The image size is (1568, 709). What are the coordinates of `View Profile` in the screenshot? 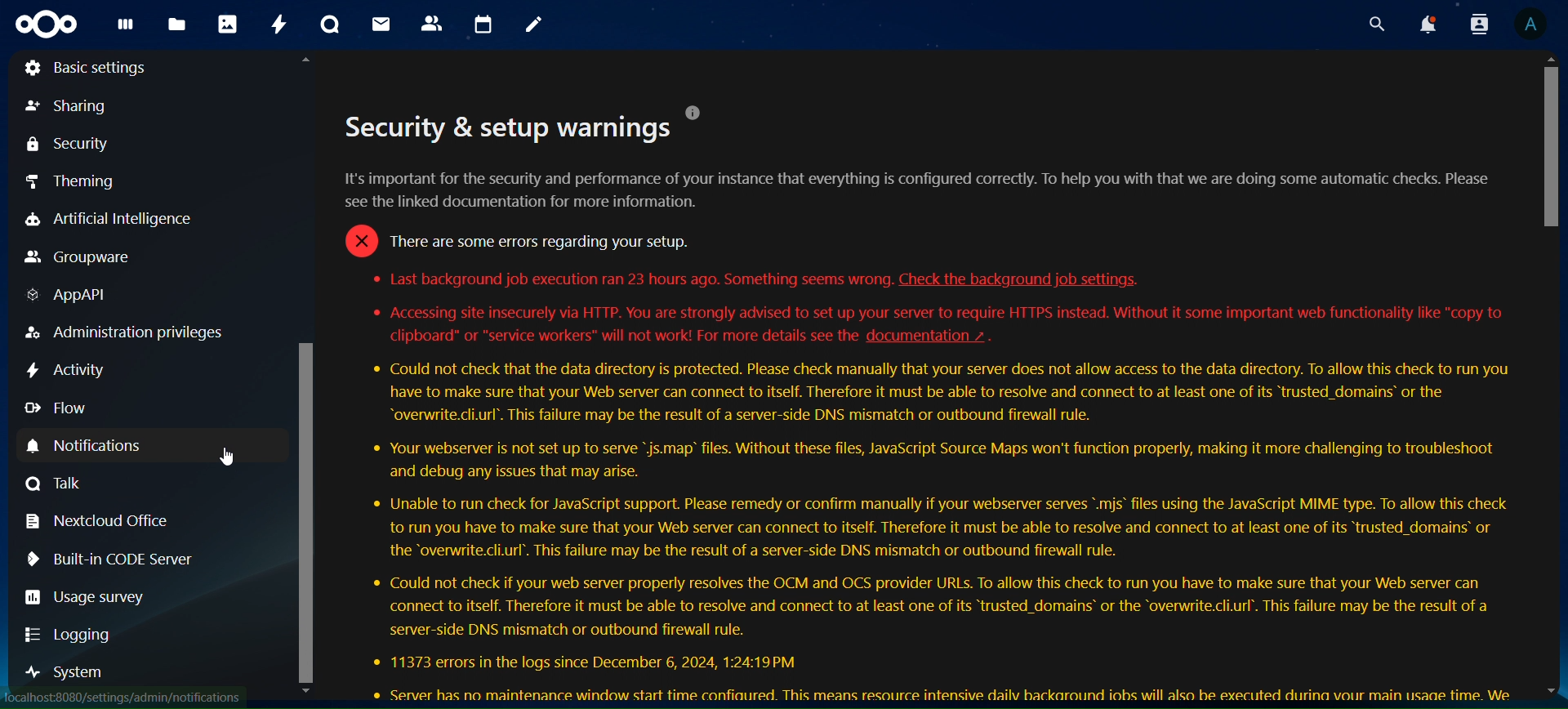 It's located at (1534, 25).